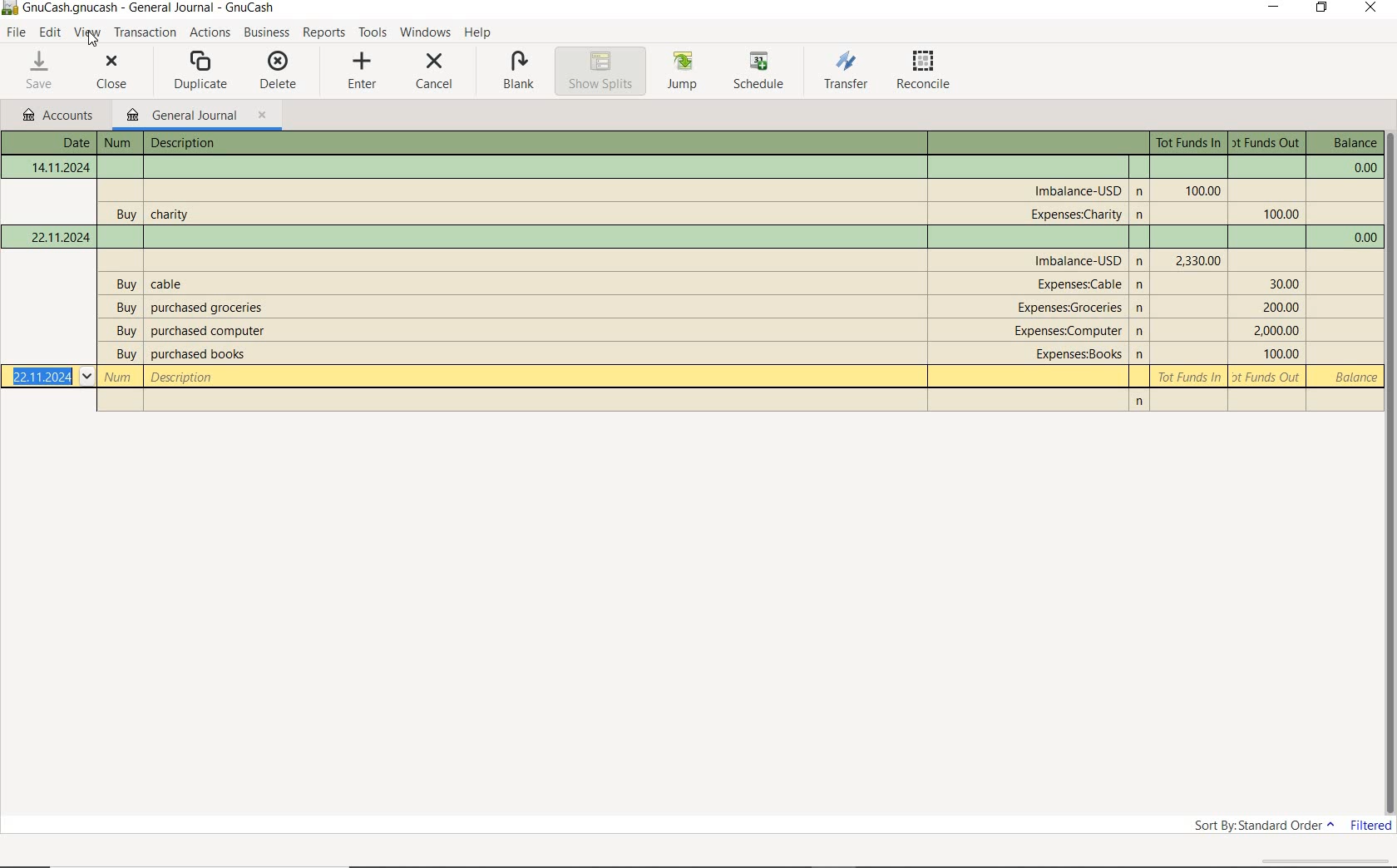  Describe the element at coordinates (68, 142) in the screenshot. I see `Date` at that location.